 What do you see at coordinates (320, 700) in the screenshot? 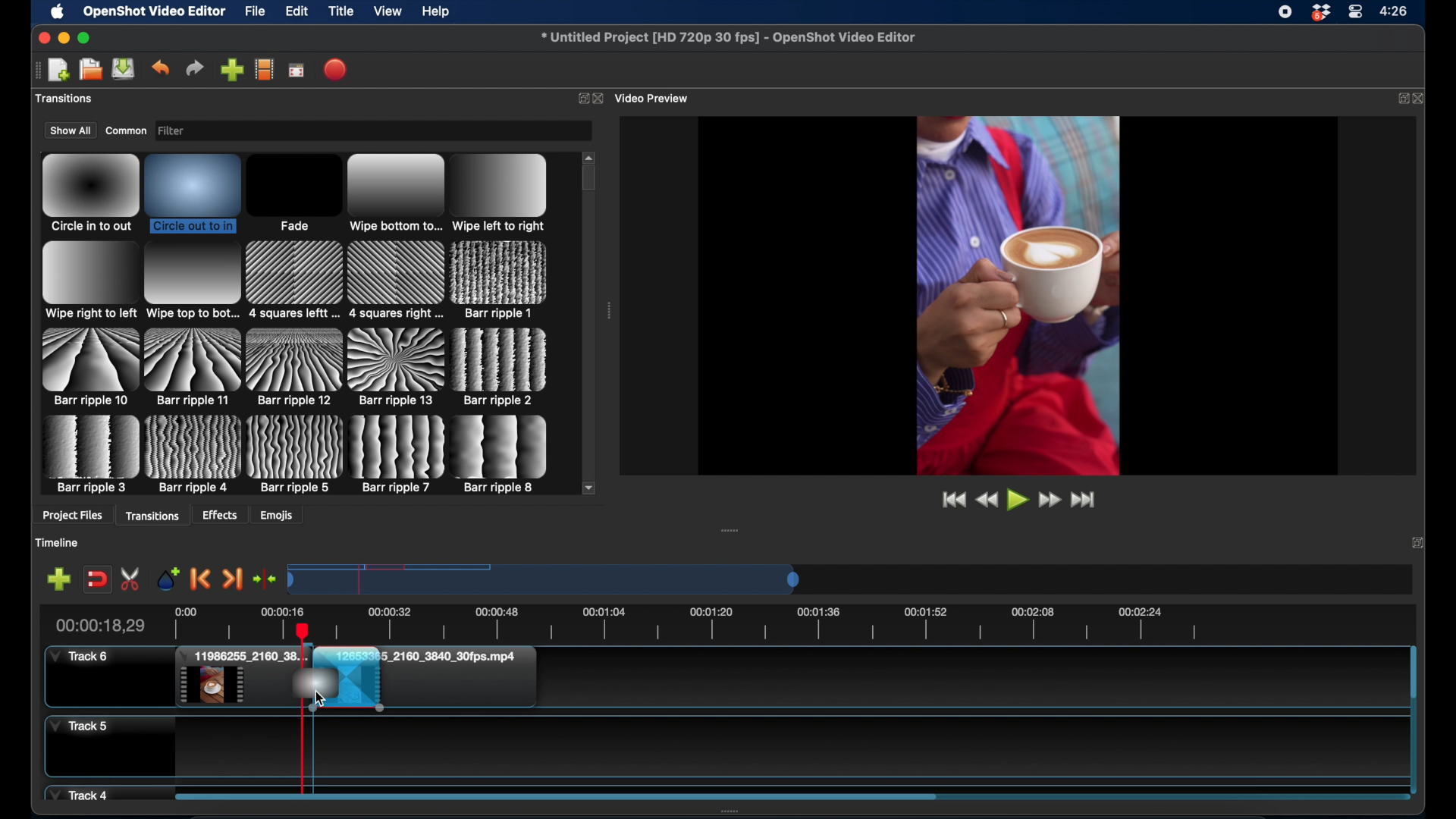
I see `cursor` at bounding box center [320, 700].